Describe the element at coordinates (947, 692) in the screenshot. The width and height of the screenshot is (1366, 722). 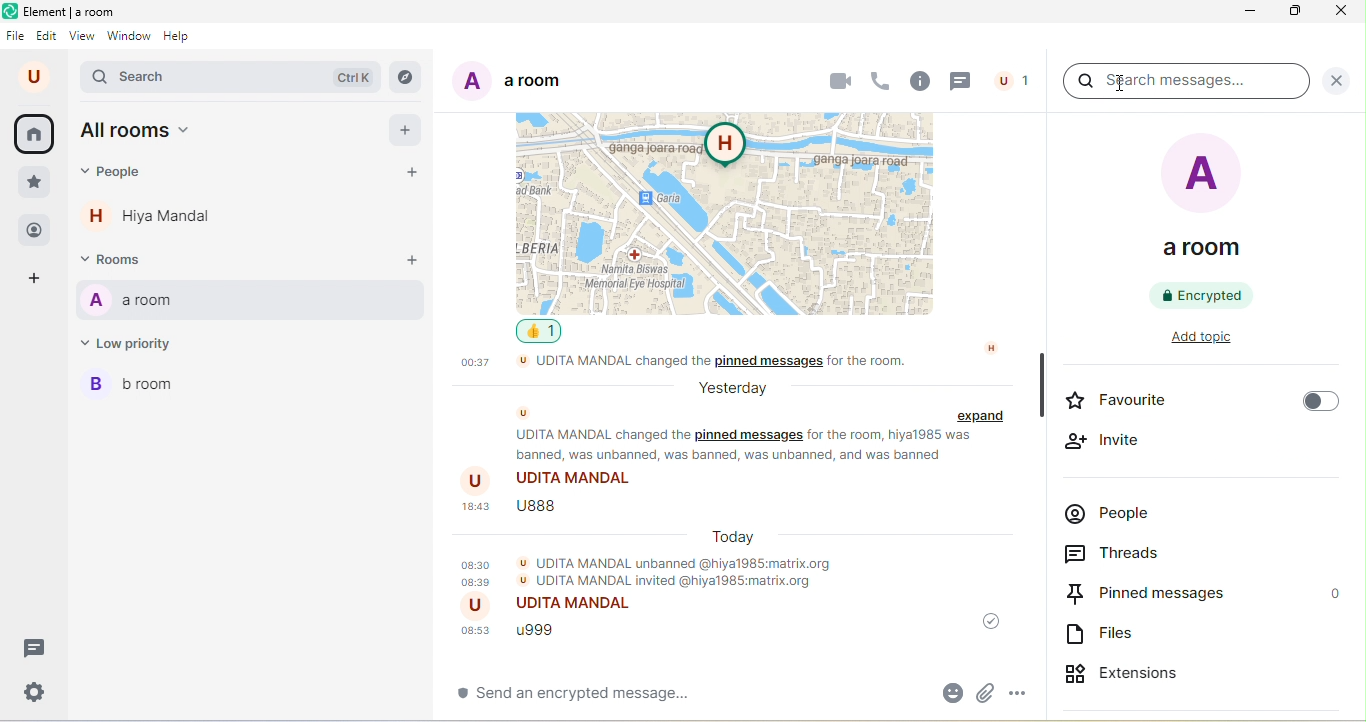
I see `emoji` at that location.